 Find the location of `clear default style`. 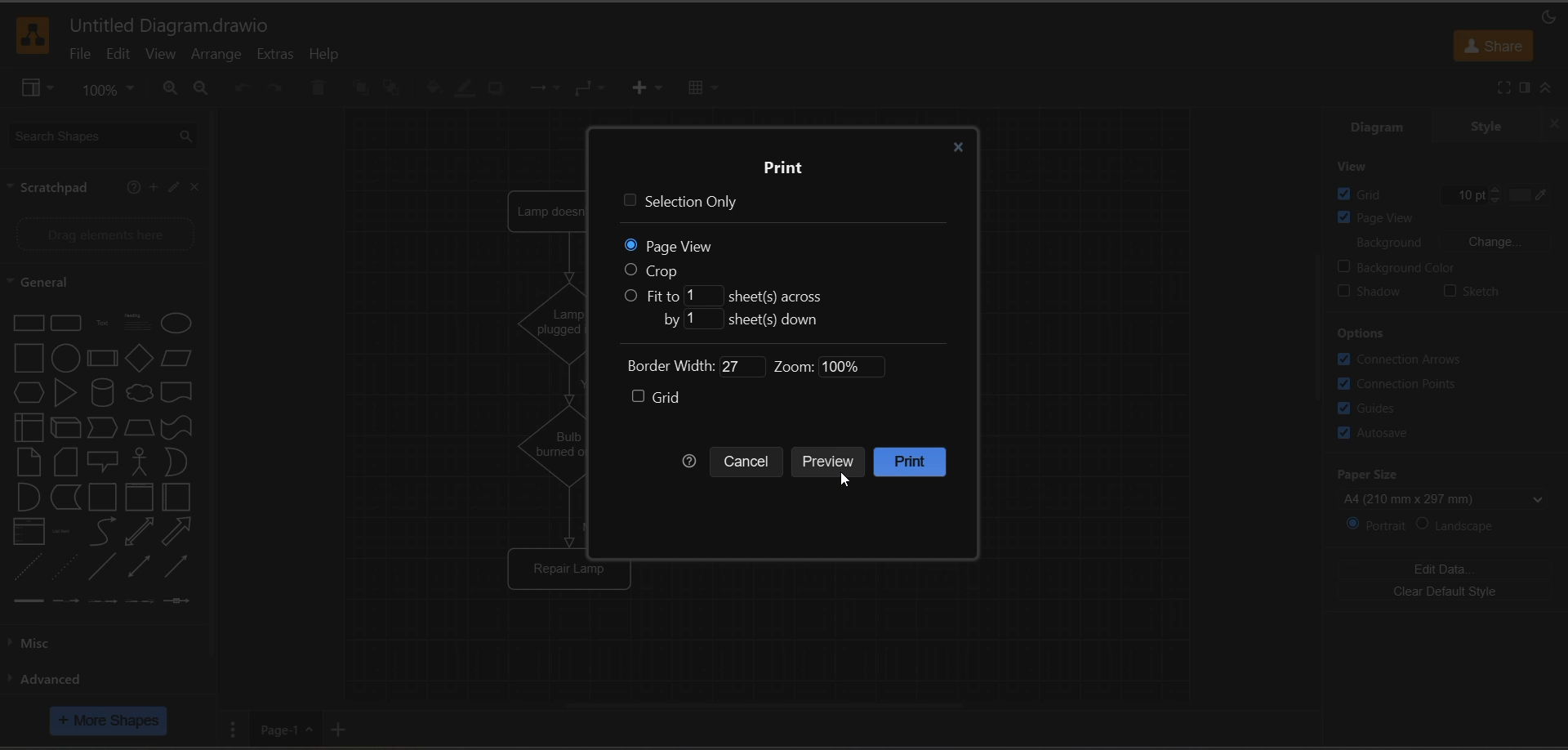

clear default style is located at coordinates (1446, 592).